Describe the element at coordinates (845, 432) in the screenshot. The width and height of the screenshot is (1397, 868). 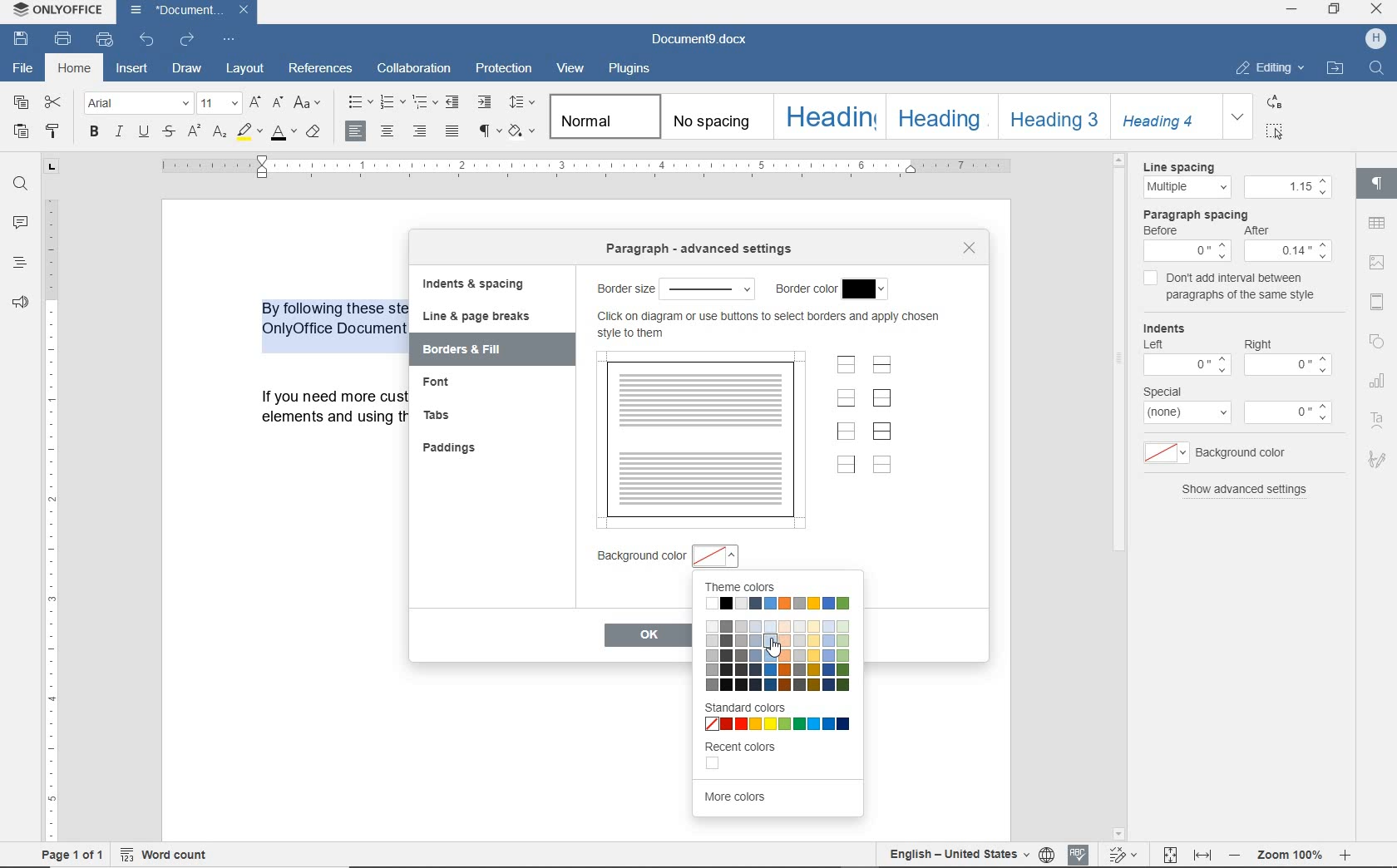
I see `set left border only` at that location.